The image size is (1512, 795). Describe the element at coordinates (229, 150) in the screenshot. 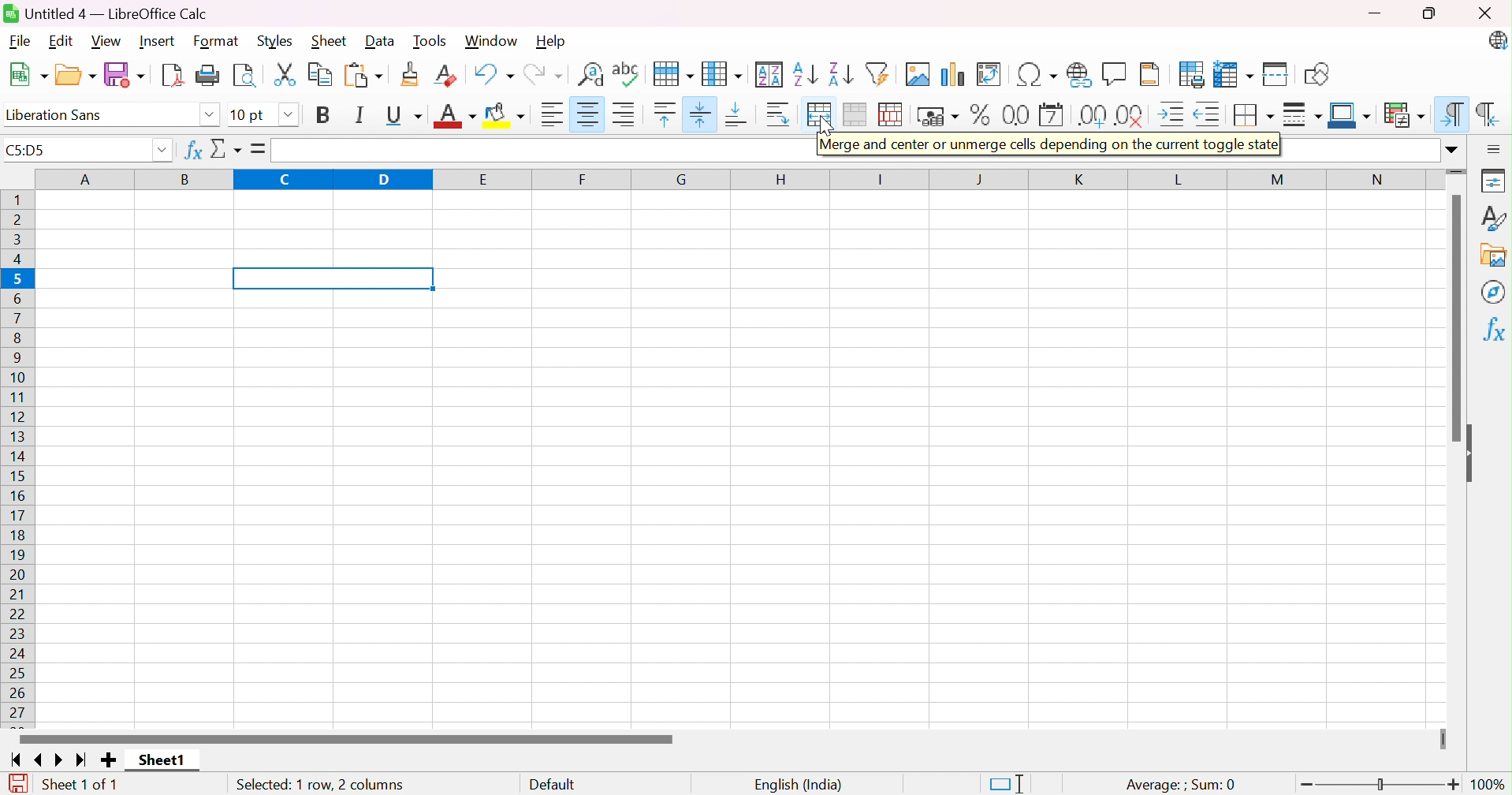

I see `Select Function` at that location.